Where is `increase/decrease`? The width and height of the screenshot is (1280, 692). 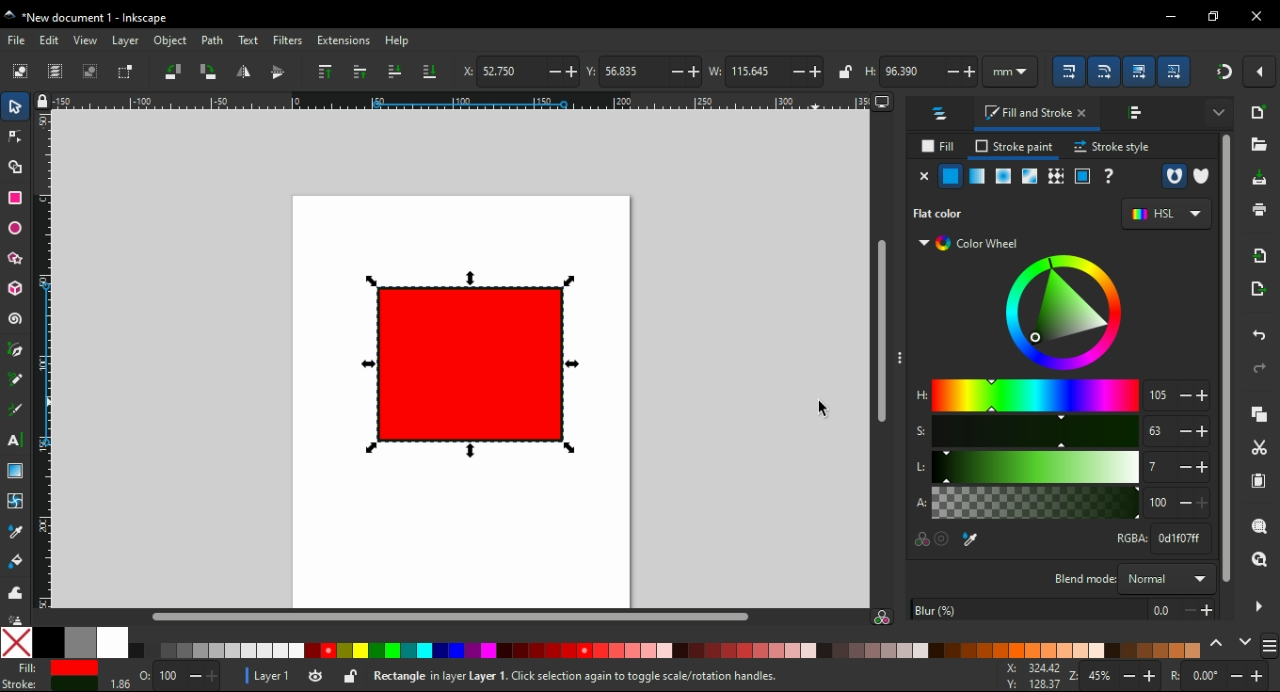 increase/decrease is located at coordinates (961, 71).